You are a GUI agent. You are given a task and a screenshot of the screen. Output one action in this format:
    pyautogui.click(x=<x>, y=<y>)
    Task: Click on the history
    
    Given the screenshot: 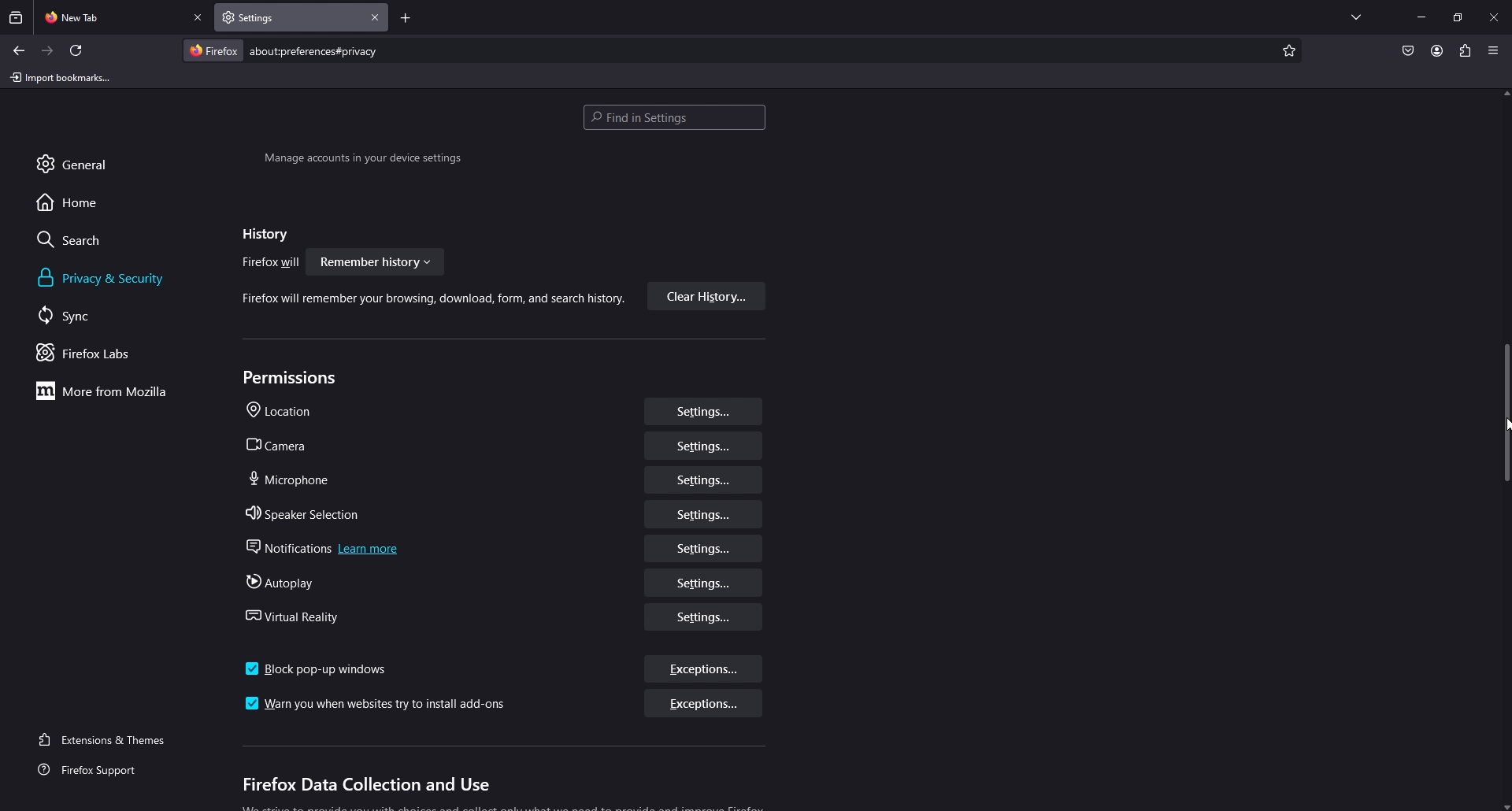 What is the action you would take?
    pyautogui.click(x=261, y=235)
    